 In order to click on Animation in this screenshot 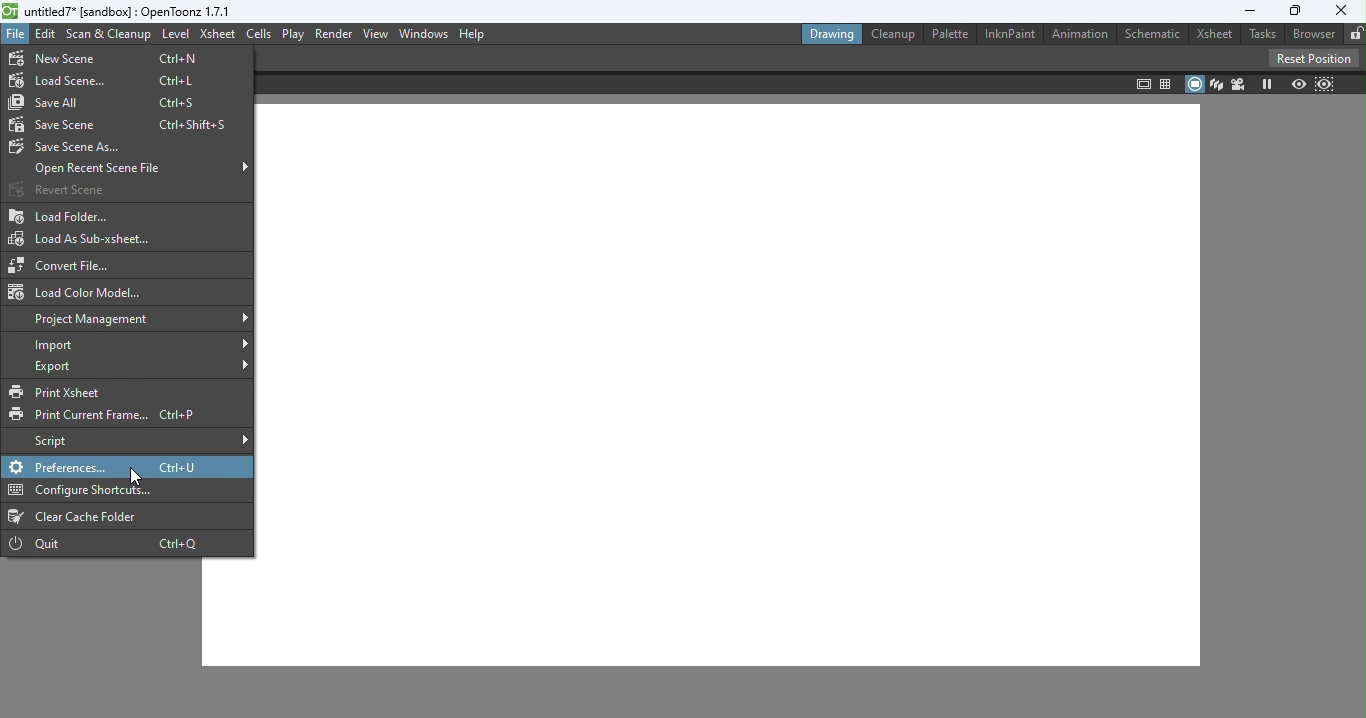, I will do `click(1079, 33)`.